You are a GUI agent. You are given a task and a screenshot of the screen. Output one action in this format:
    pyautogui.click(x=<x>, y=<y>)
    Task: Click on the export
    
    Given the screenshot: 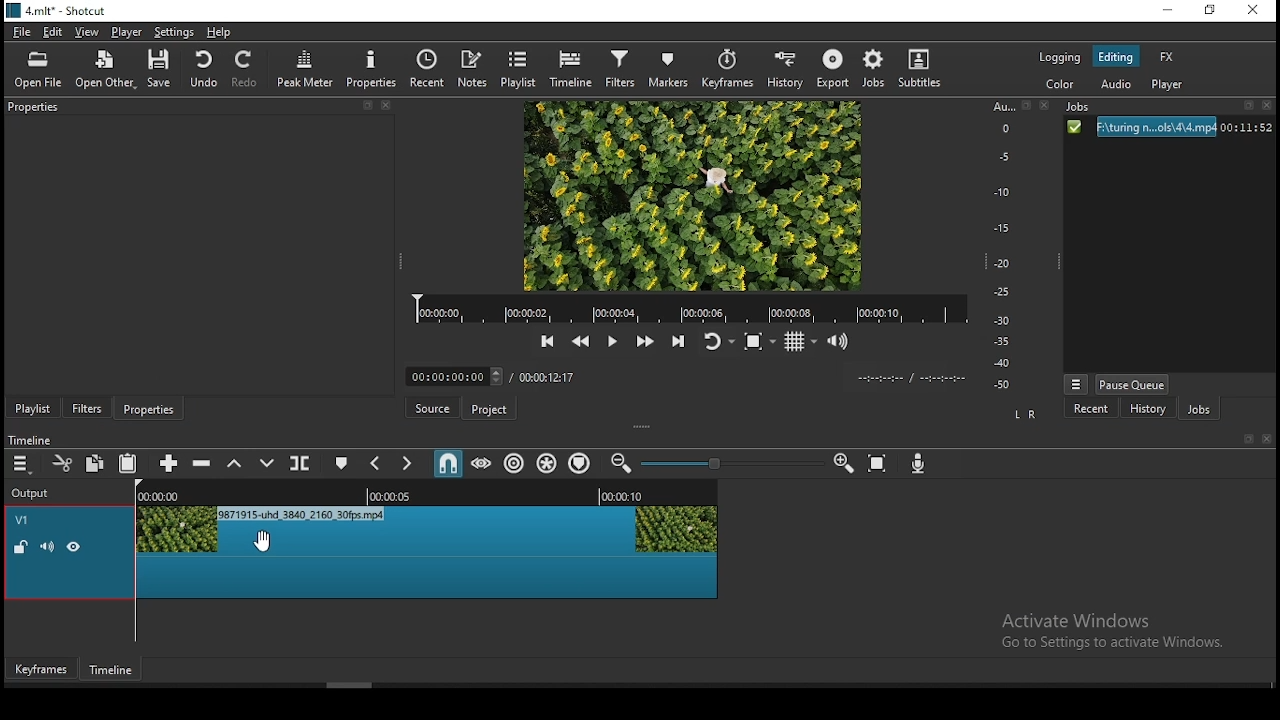 What is the action you would take?
    pyautogui.click(x=831, y=68)
    